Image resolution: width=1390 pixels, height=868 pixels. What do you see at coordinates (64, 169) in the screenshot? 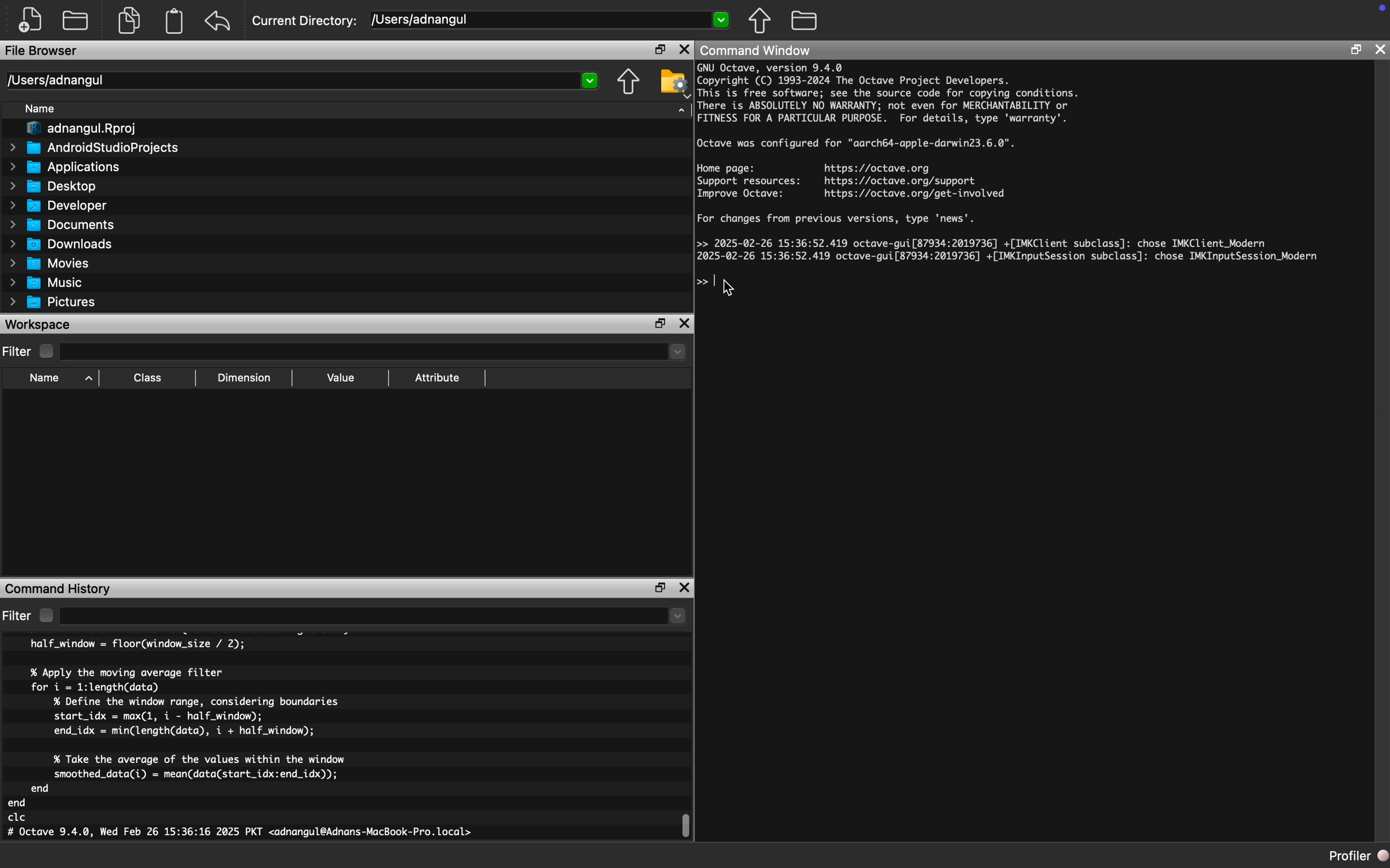
I see `Applications` at bounding box center [64, 169].